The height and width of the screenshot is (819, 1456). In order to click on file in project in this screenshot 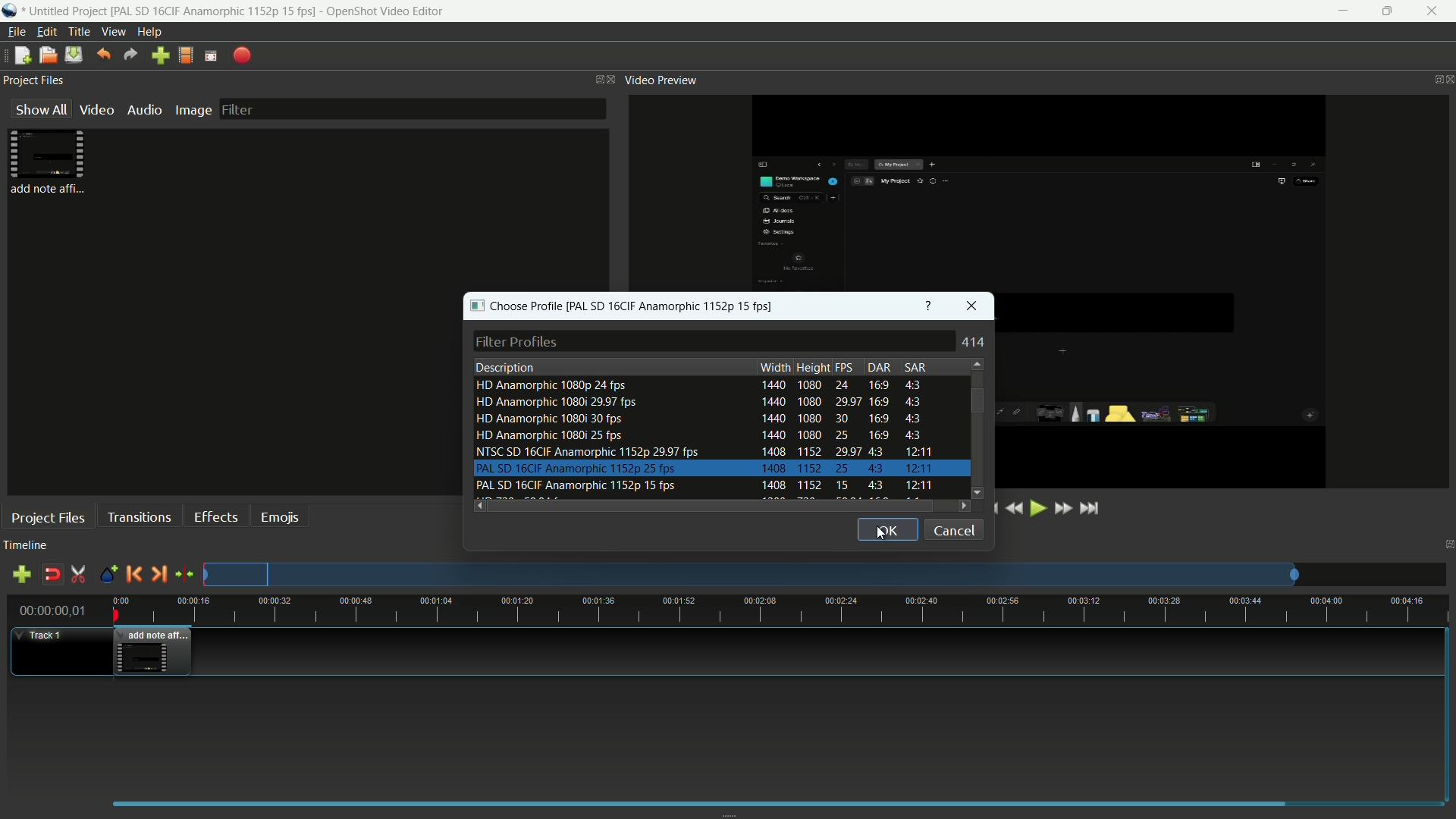, I will do `click(44, 162)`.